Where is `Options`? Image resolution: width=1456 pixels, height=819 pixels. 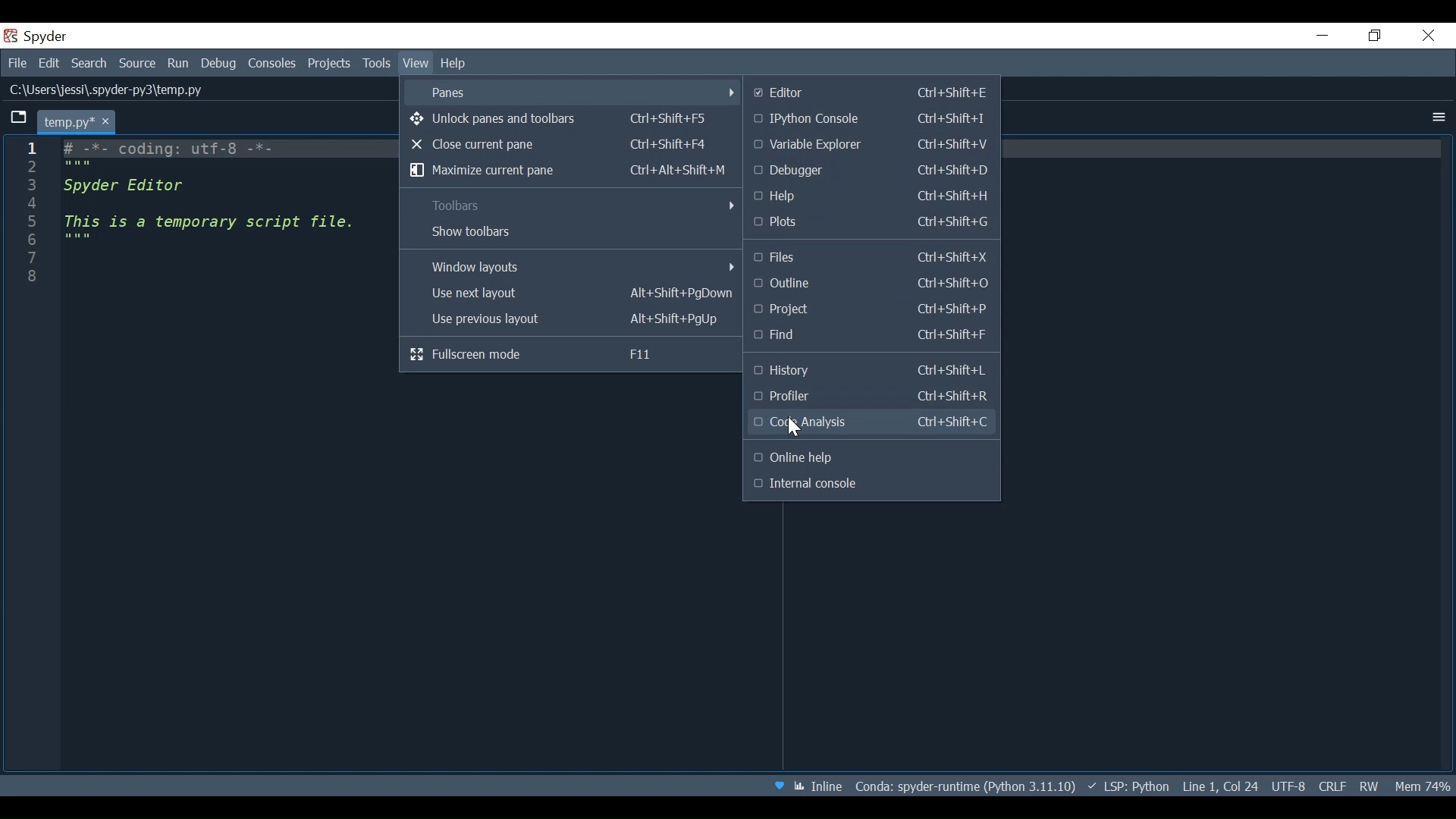
Options is located at coordinates (1436, 117).